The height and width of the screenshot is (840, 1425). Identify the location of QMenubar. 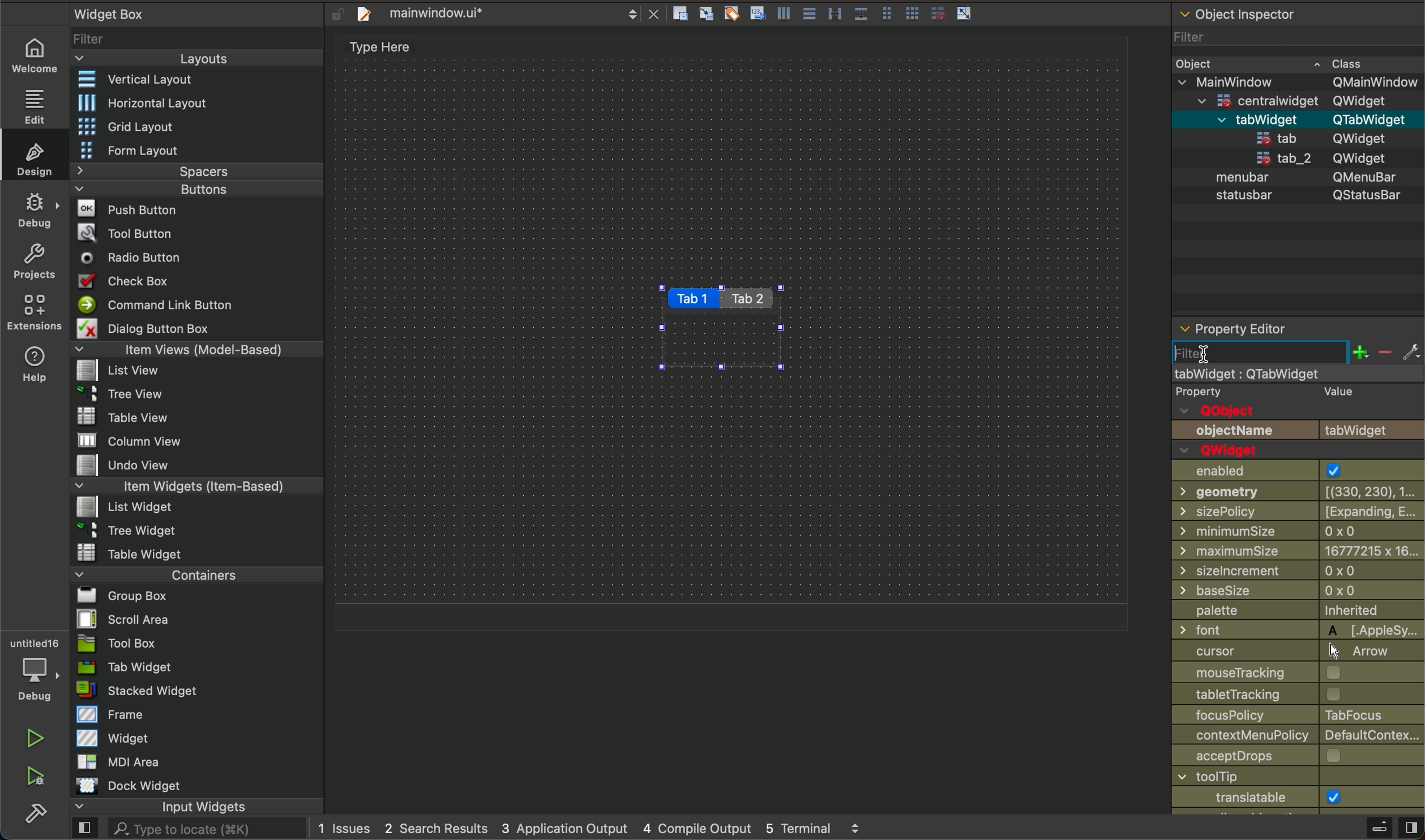
(1355, 179).